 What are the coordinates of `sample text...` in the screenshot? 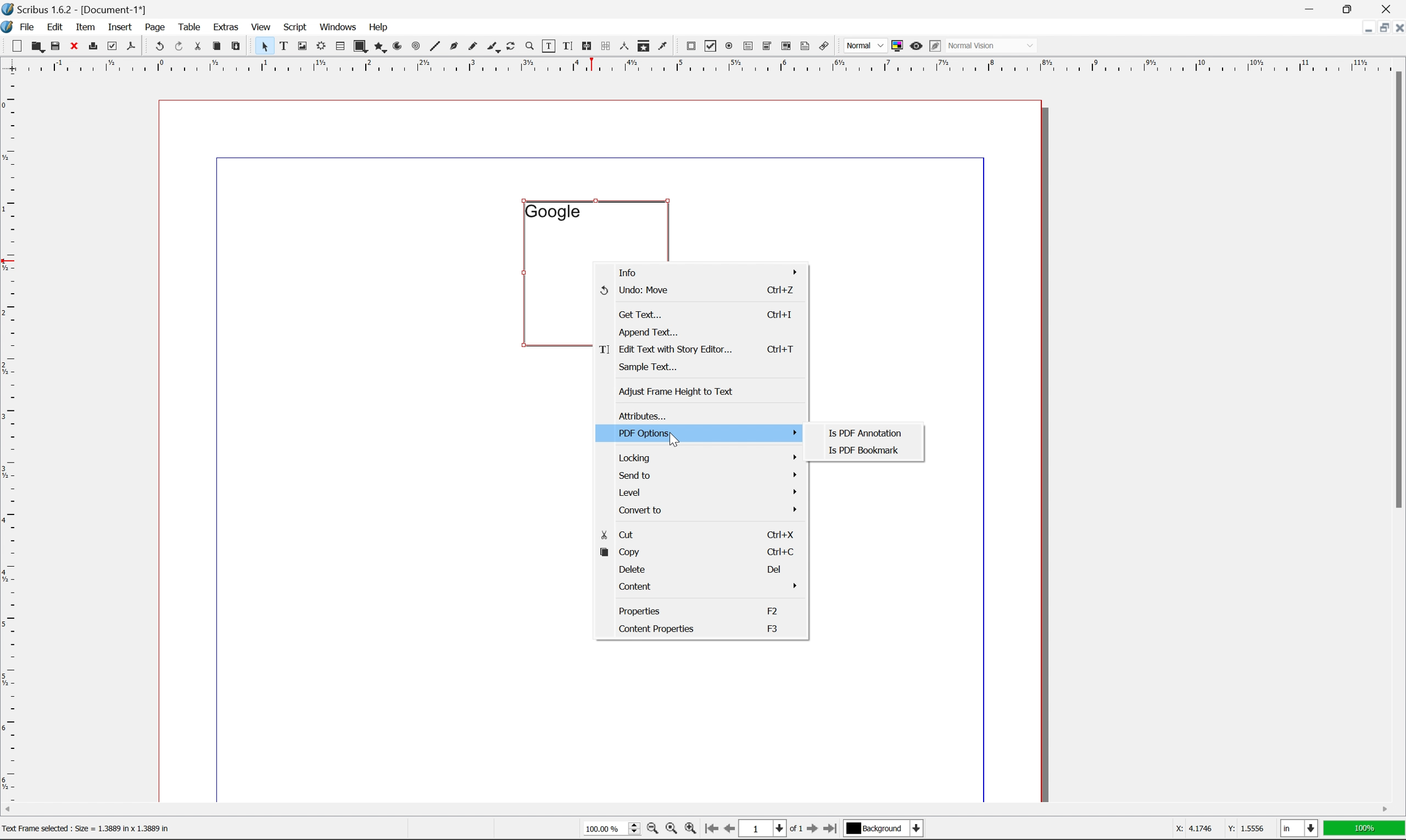 It's located at (648, 367).